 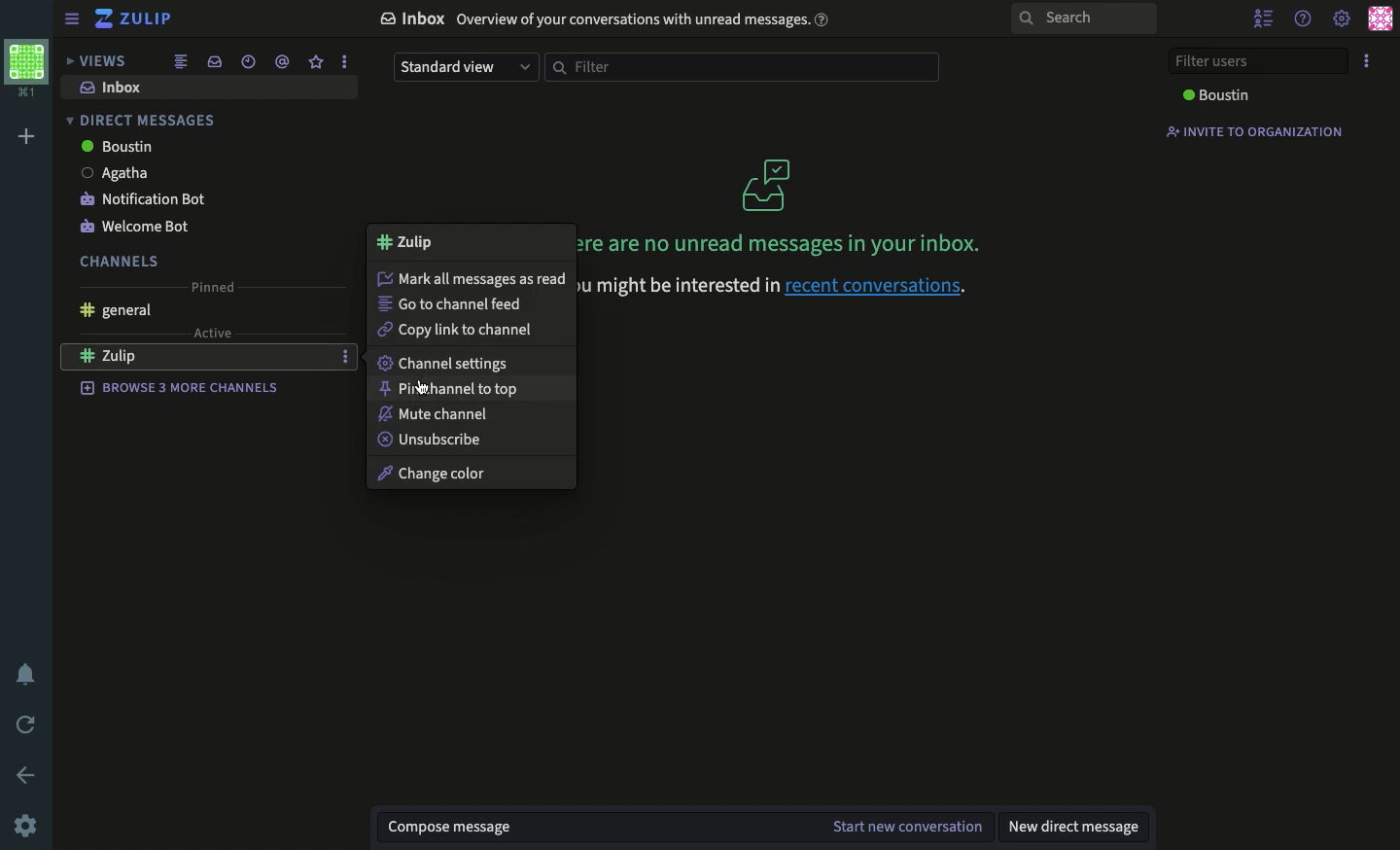 What do you see at coordinates (344, 60) in the screenshot?
I see `options` at bounding box center [344, 60].